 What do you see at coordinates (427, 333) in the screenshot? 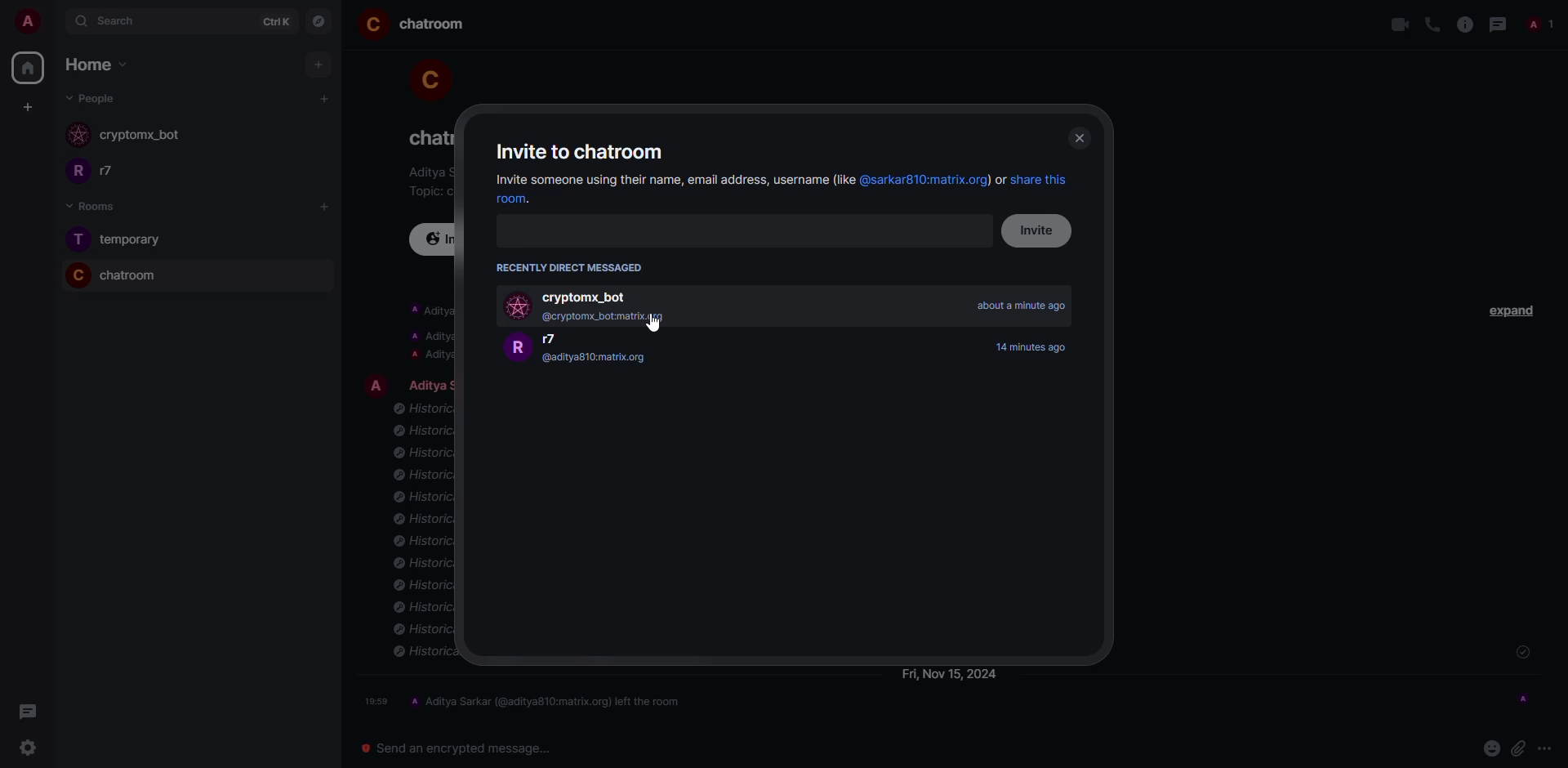
I see `info` at bounding box center [427, 333].